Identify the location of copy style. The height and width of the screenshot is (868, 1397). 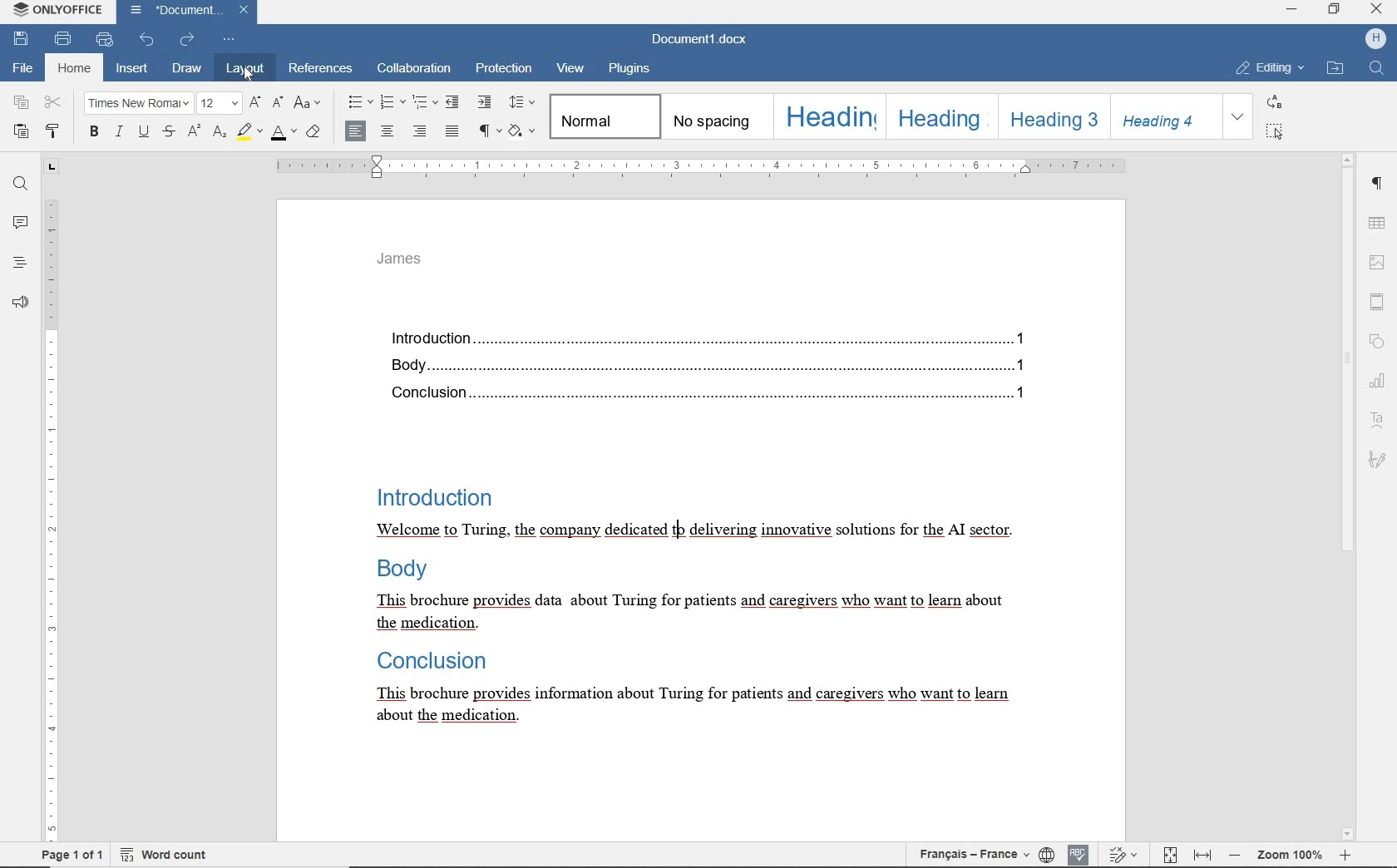
(53, 131).